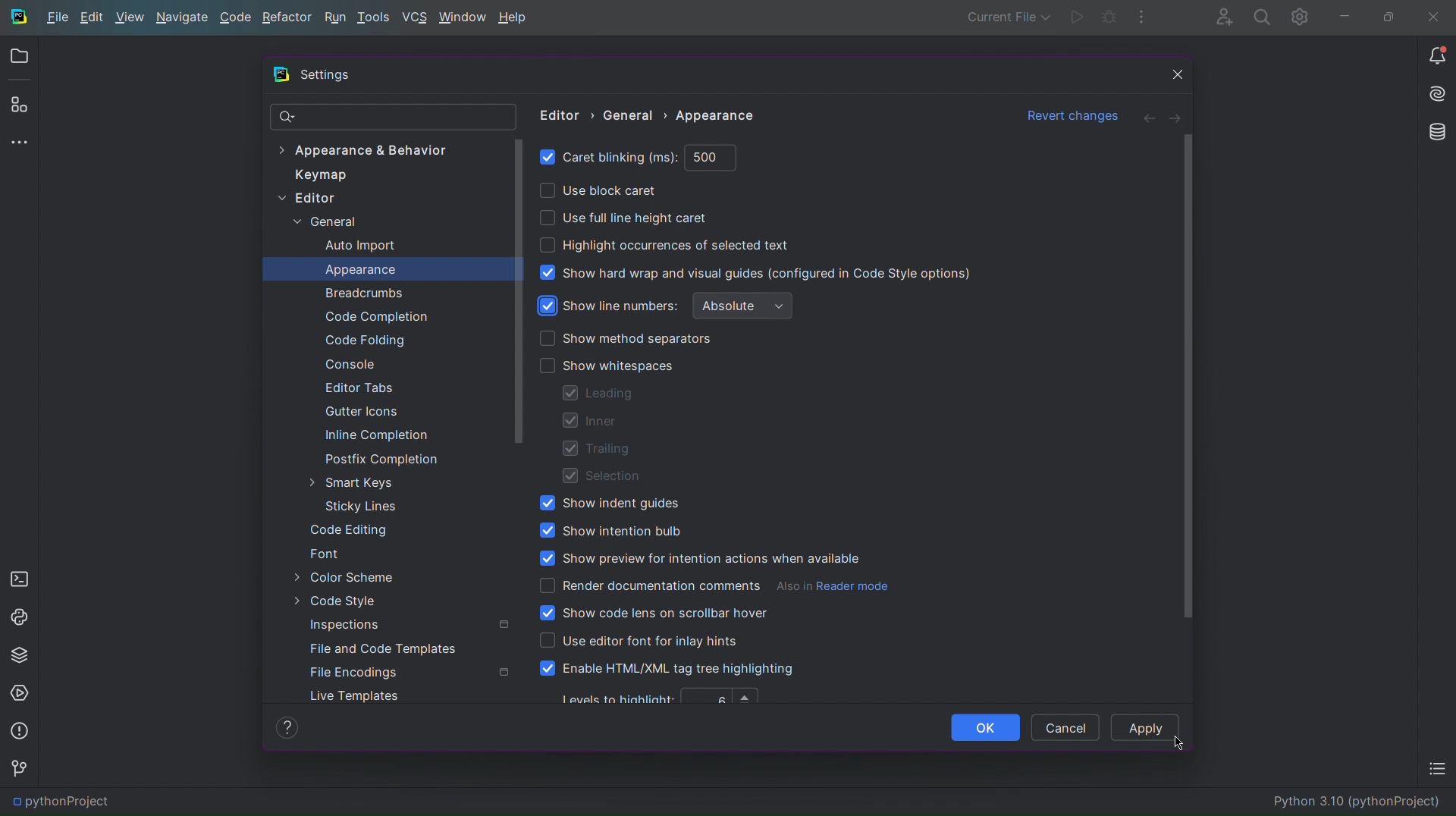 The image size is (1456, 816). Describe the element at coordinates (669, 670) in the screenshot. I see `Enable HTML/XML tag tree highlighting` at that location.